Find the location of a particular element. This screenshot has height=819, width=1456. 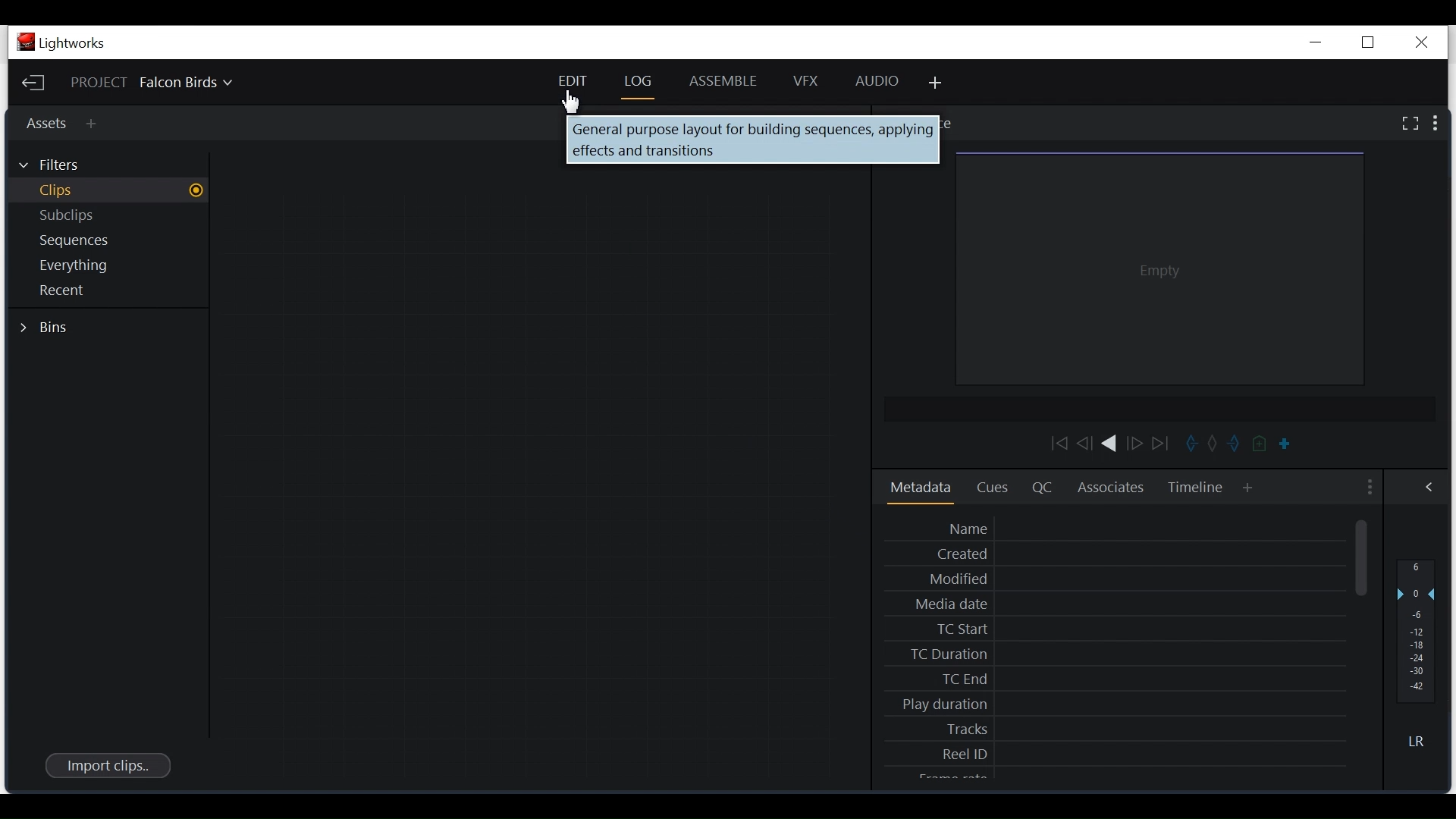

Back is located at coordinates (1110, 446).